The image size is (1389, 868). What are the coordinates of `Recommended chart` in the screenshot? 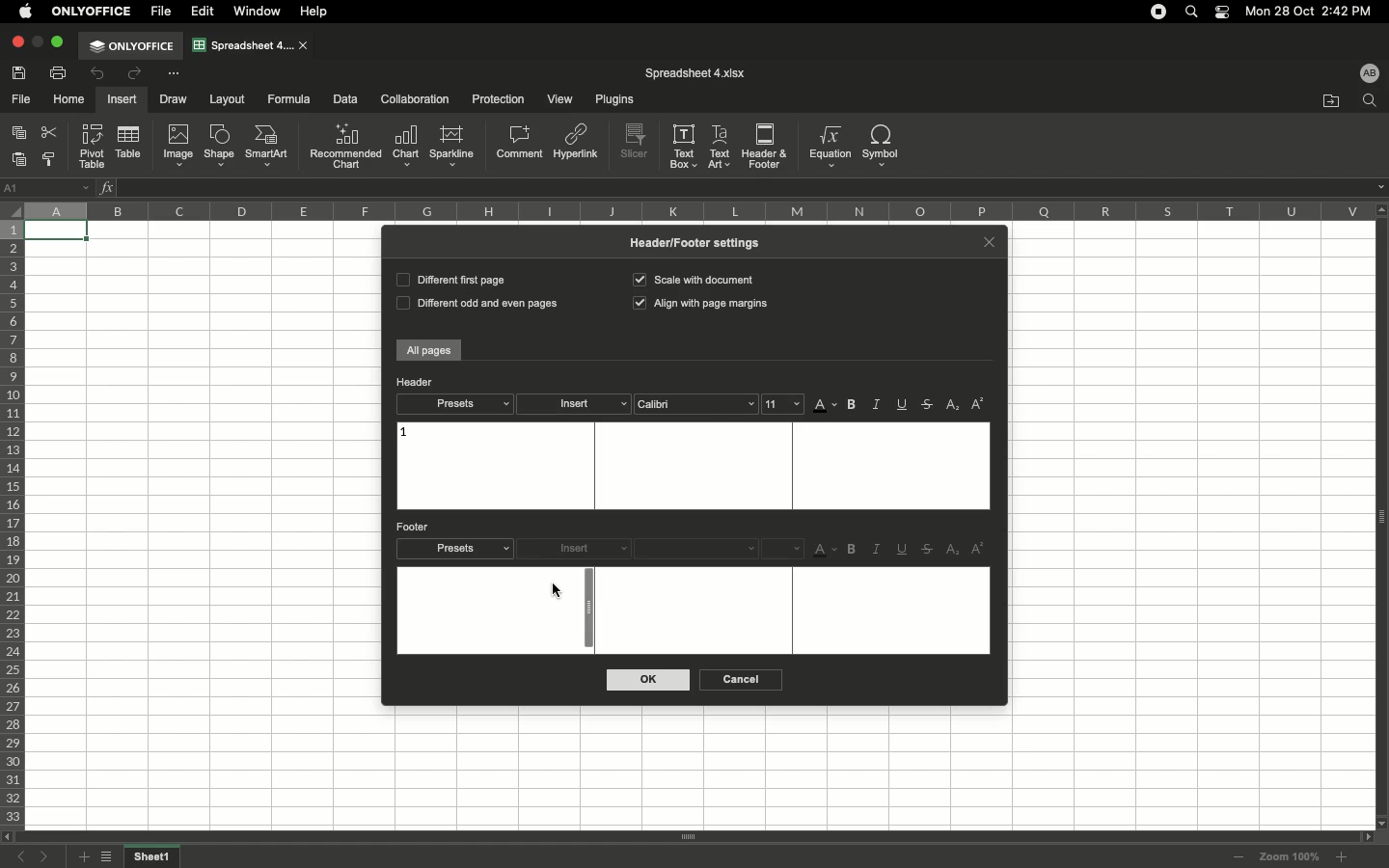 It's located at (345, 146).